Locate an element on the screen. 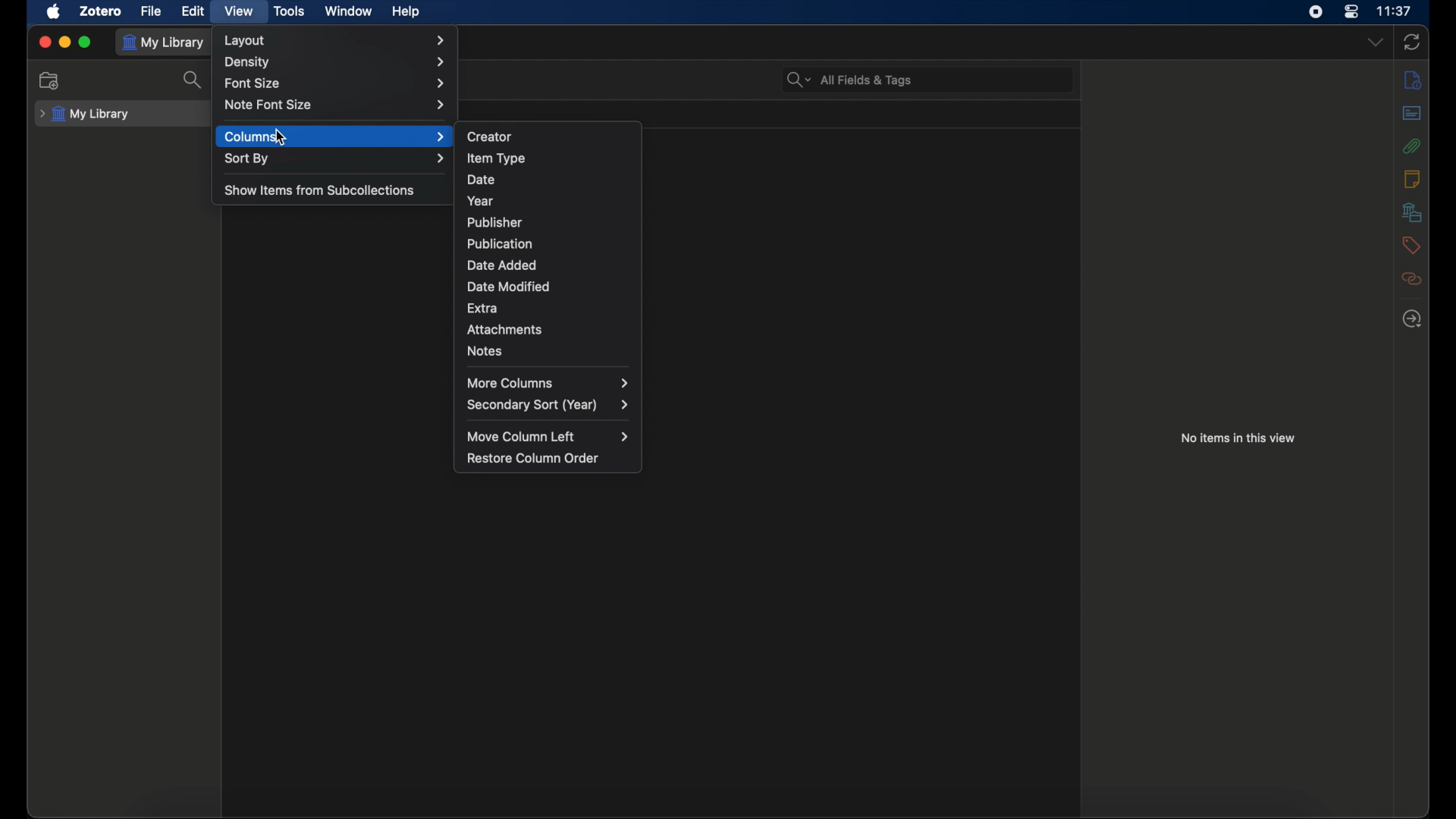 The width and height of the screenshot is (1456, 819). info is located at coordinates (1412, 79).